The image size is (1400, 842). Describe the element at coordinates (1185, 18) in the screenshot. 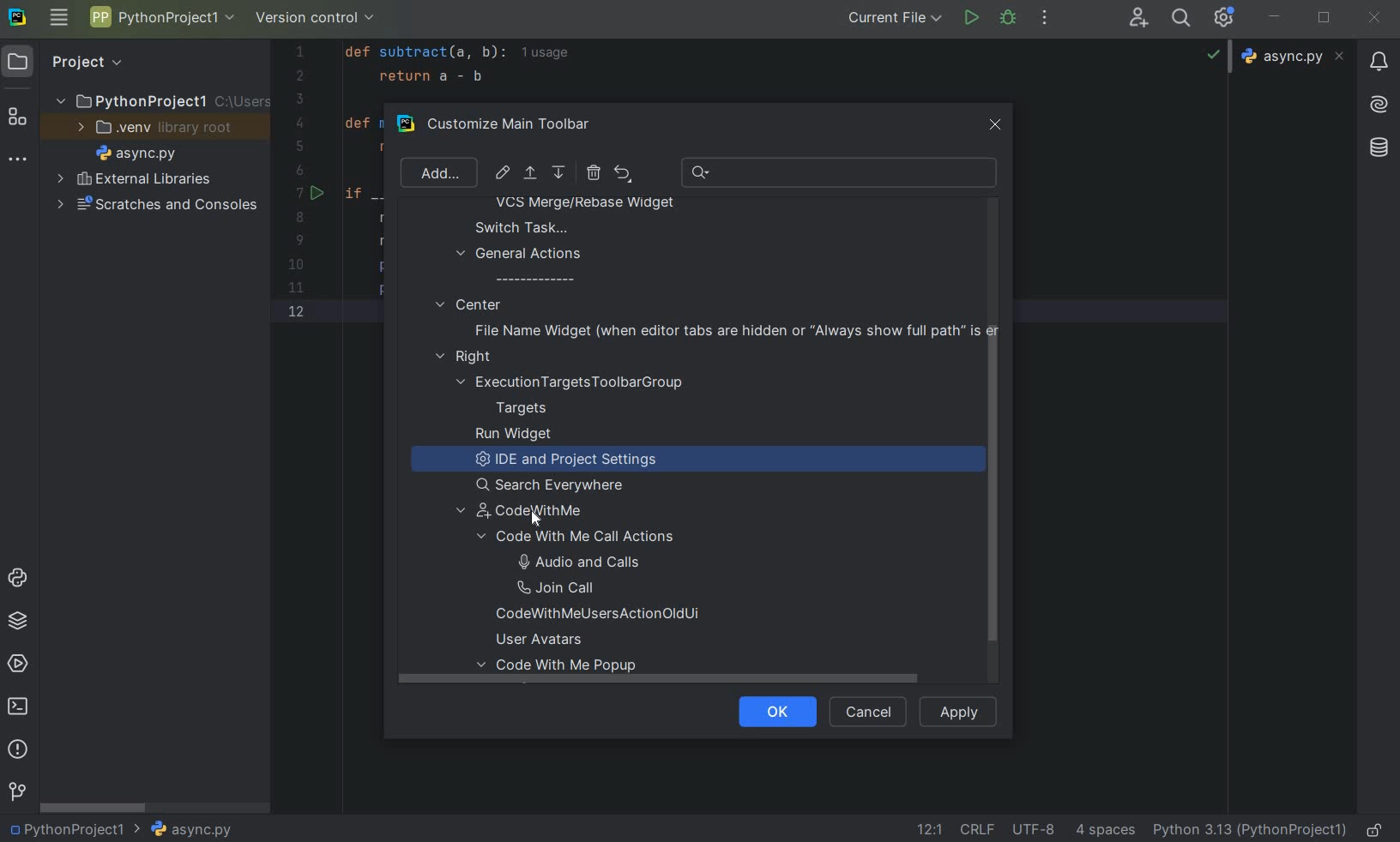

I see `SEARCH EVERYWHERE` at that location.